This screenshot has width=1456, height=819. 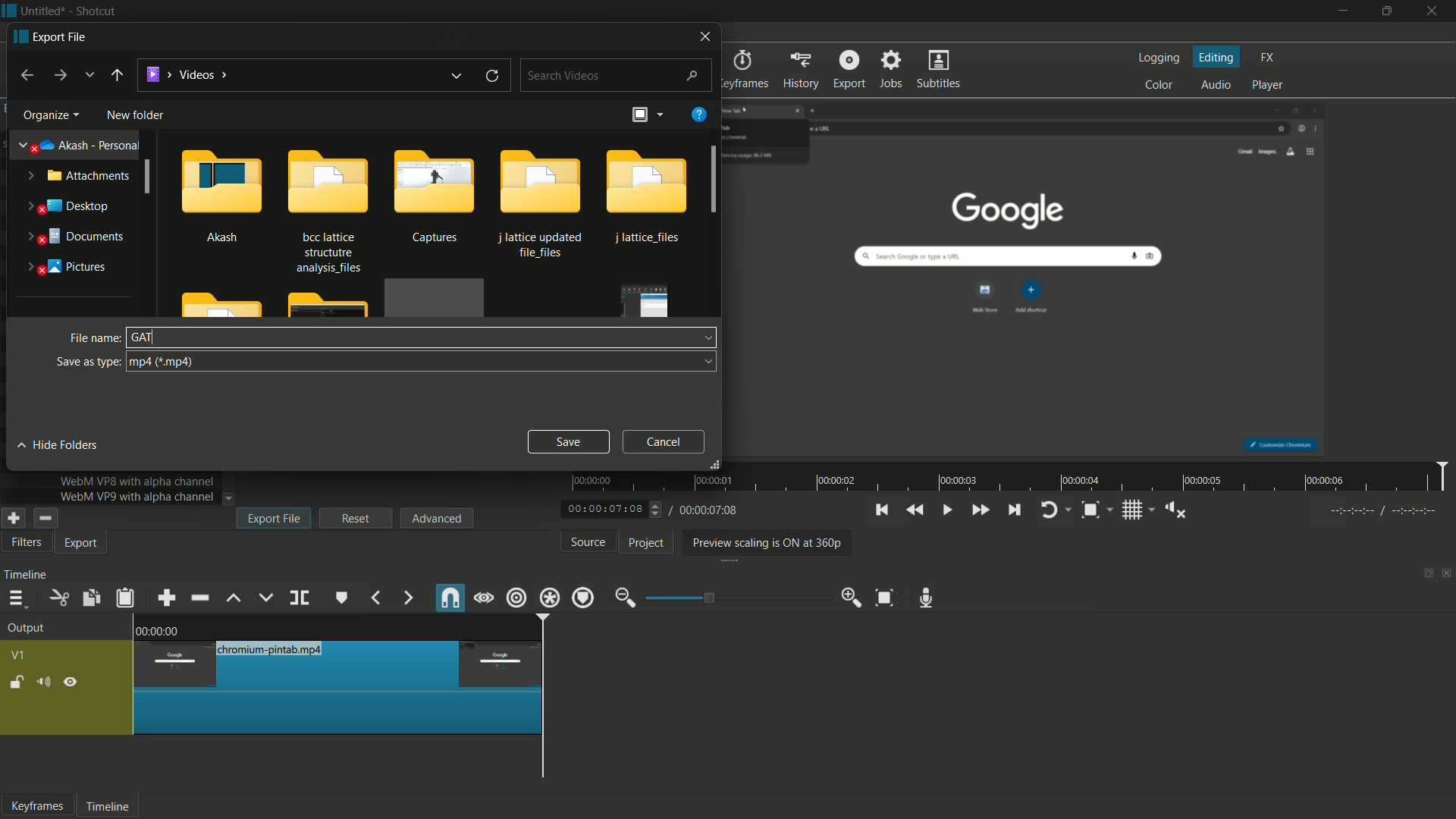 What do you see at coordinates (202, 598) in the screenshot?
I see `ripple delete` at bounding box center [202, 598].